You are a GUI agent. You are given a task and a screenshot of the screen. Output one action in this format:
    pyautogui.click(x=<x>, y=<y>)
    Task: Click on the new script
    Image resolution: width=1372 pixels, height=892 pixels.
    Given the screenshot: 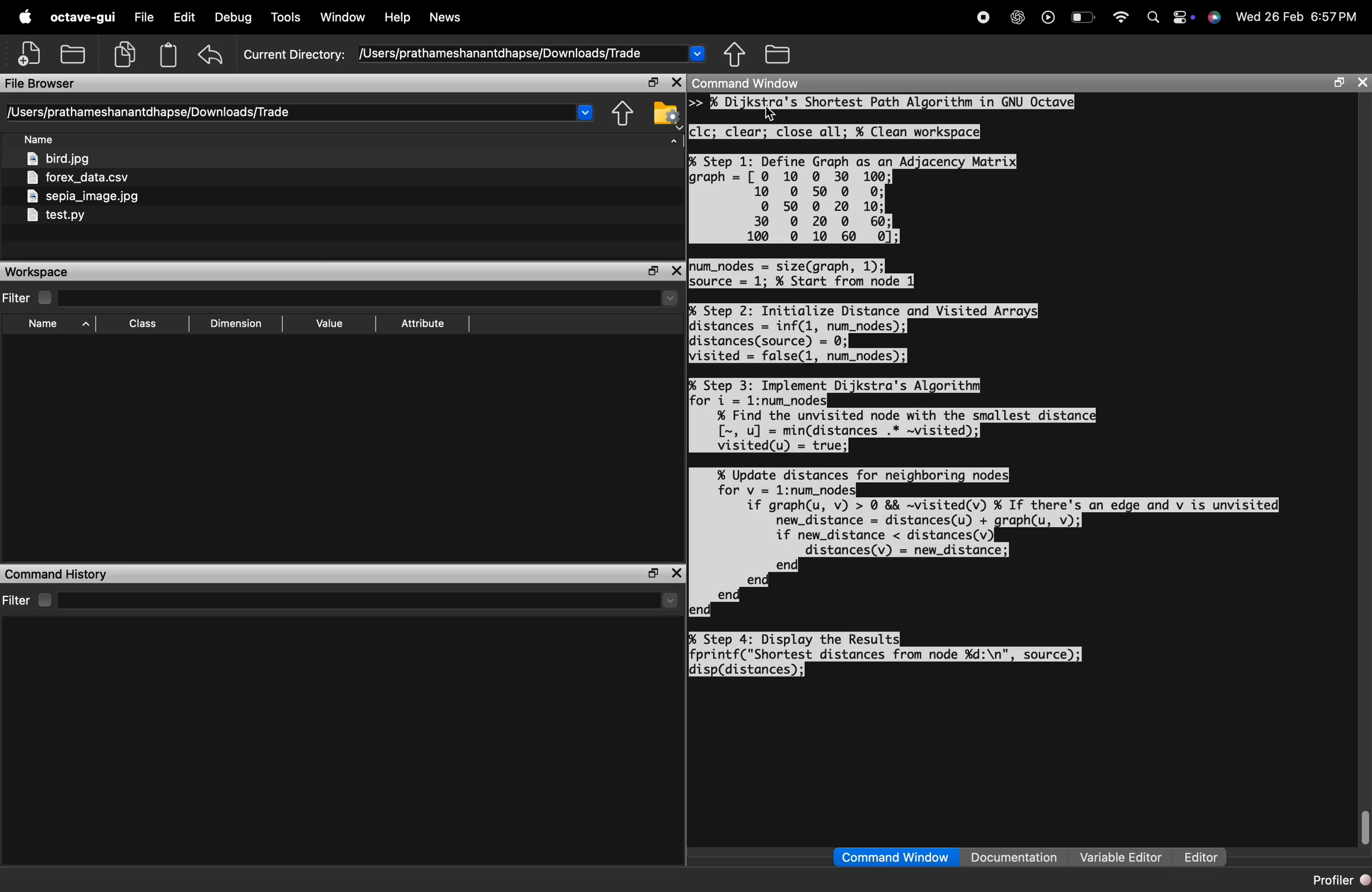 What is the action you would take?
    pyautogui.click(x=31, y=53)
    